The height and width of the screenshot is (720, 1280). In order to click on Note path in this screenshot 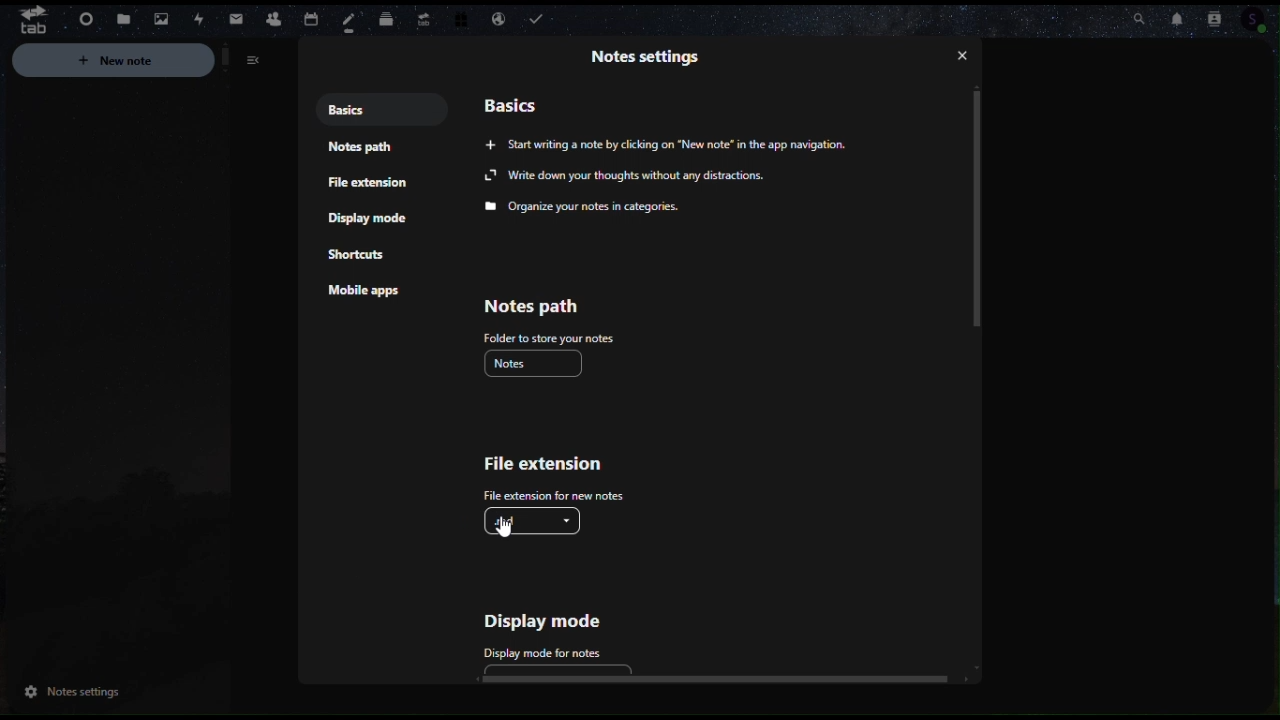, I will do `click(363, 152)`.